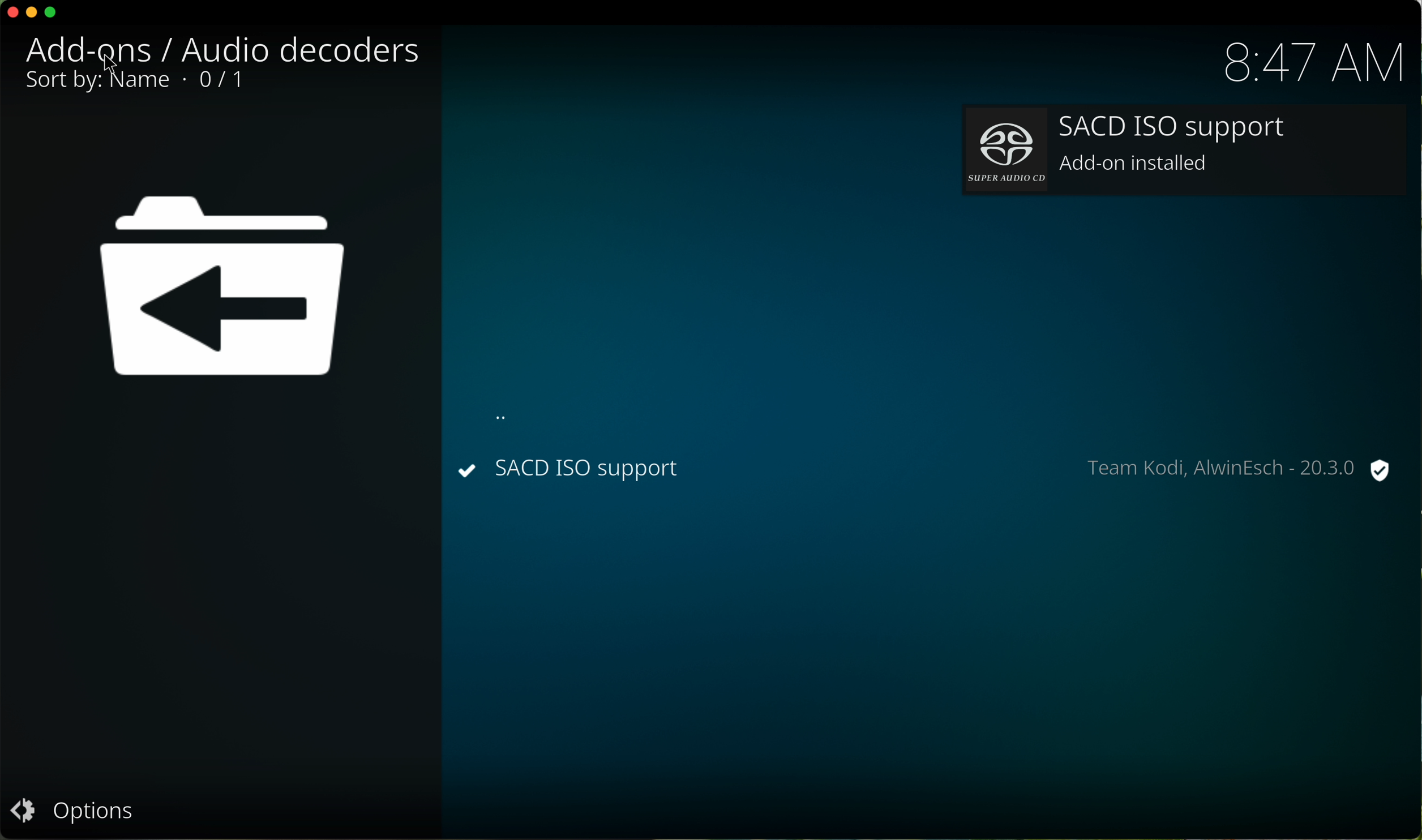 The image size is (1422, 840). Describe the element at coordinates (225, 286) in the screenshot. I see `location back icon` at that location.